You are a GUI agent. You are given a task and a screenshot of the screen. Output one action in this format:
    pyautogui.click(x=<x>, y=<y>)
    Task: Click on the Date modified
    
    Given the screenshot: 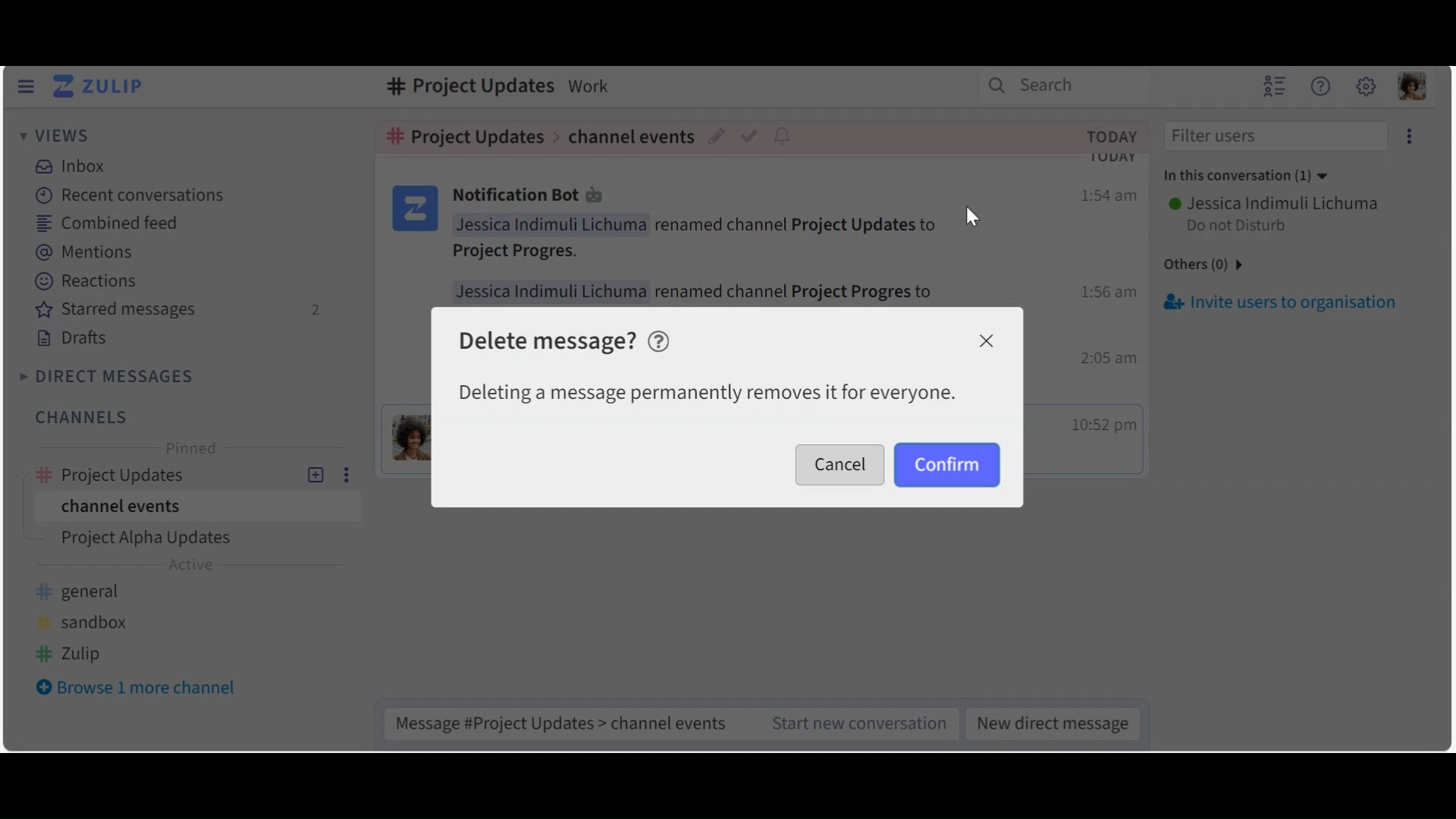 What is the action you would take?
    pyautogui.click(x=1109, y=136)
    